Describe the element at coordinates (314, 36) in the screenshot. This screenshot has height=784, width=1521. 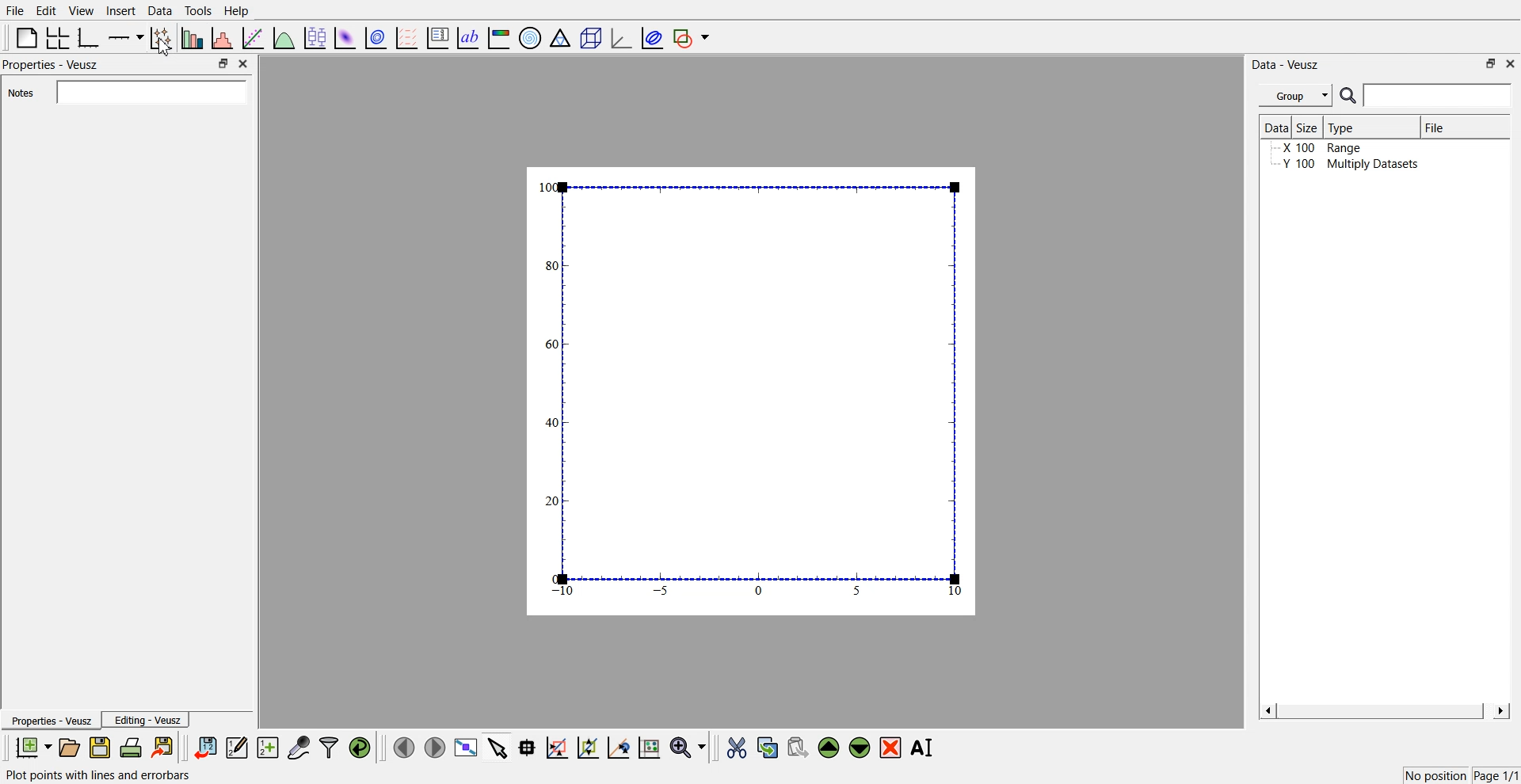
I see `plot a boxplot` at that location.